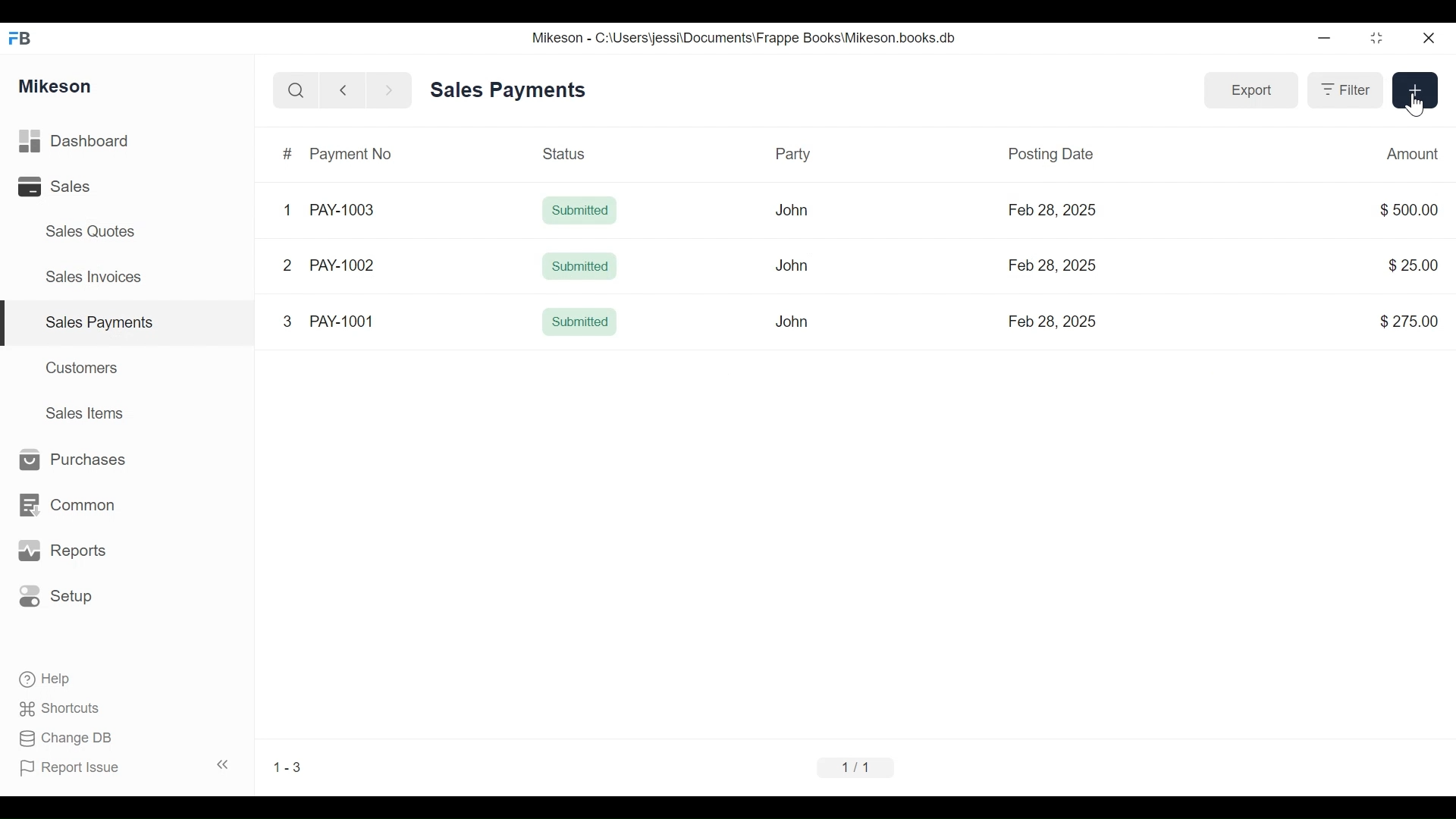  What do you see at coordinates (83, 231) in the screenshot?
I see `Sales Quotes` at bounding box center [83, 231].